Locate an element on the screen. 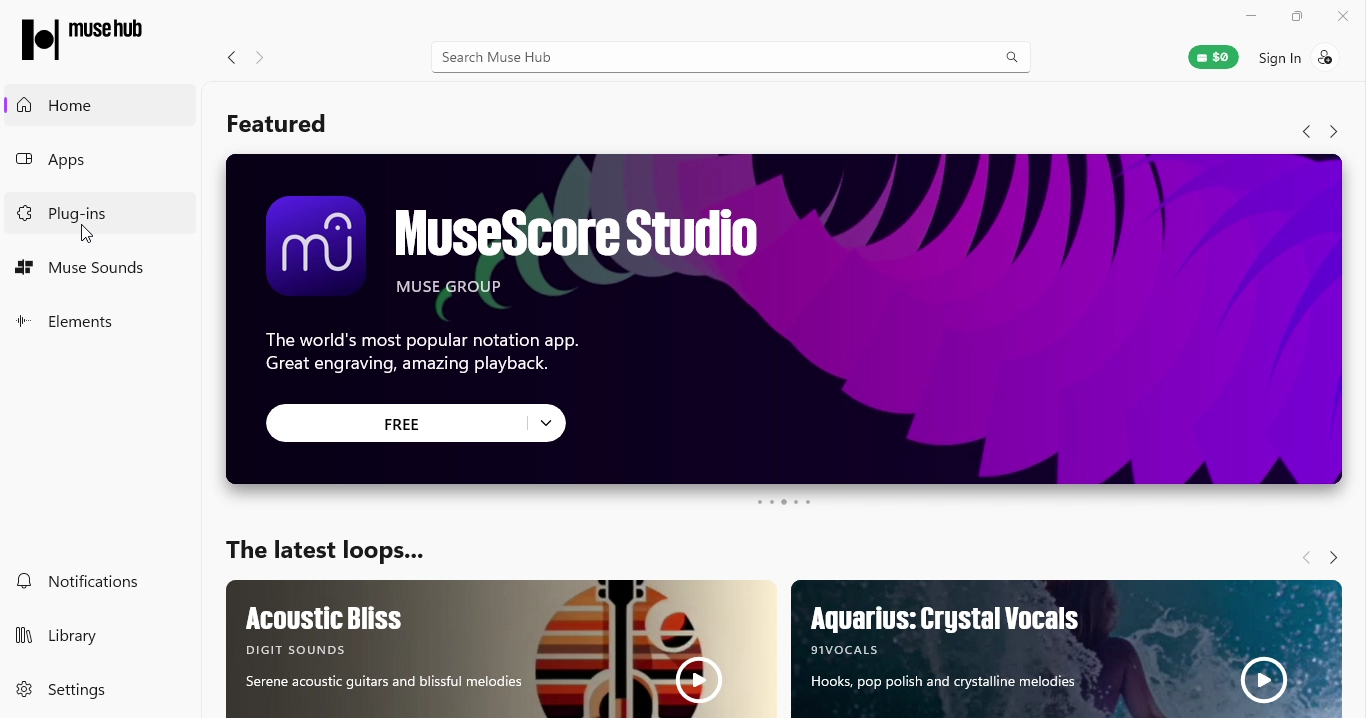  Navigate back is located at coordinates (1298, 134).